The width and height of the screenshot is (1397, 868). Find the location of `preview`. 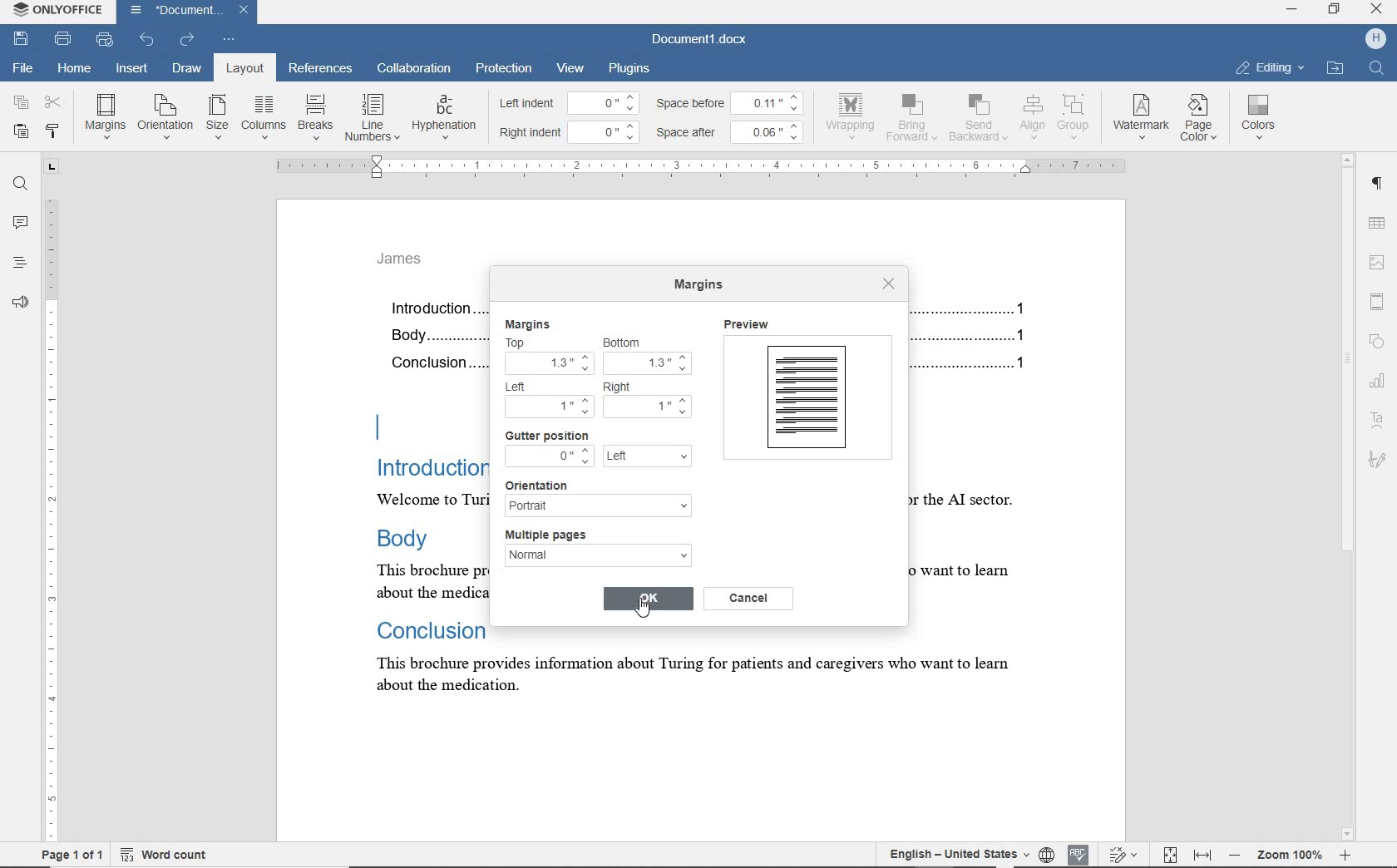

preview is located at coordinates (807, 393).